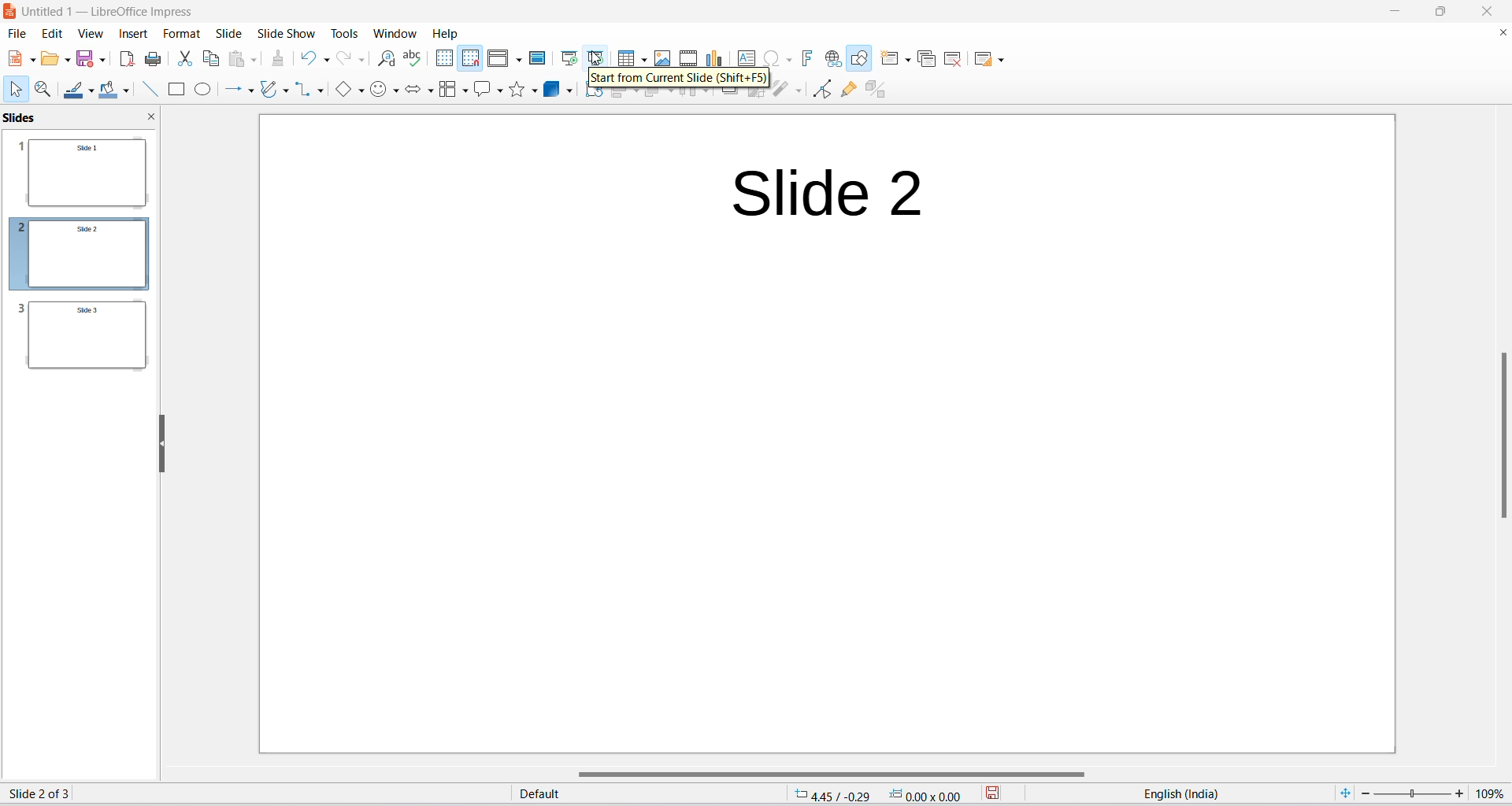 The width and height of the screenshot is (1512, 806). Describe the element at coordinates (17, 91) in the screenshot. I see `select` at that location.